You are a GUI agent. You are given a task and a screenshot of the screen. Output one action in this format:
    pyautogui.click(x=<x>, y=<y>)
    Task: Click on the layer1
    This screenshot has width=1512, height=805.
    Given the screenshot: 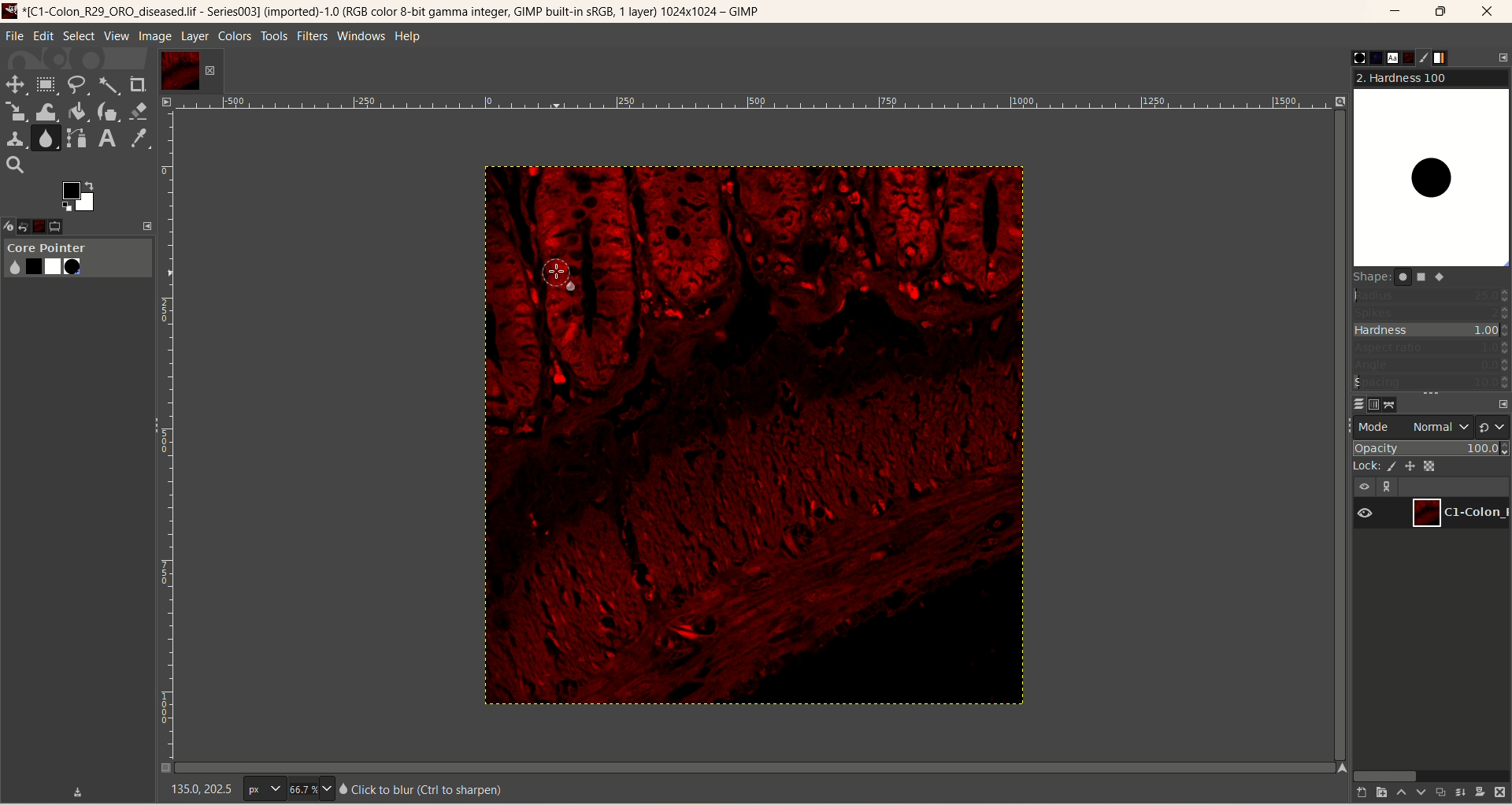 What is the action you would take?
    pyautogui.click(x=1462, y=511)
    